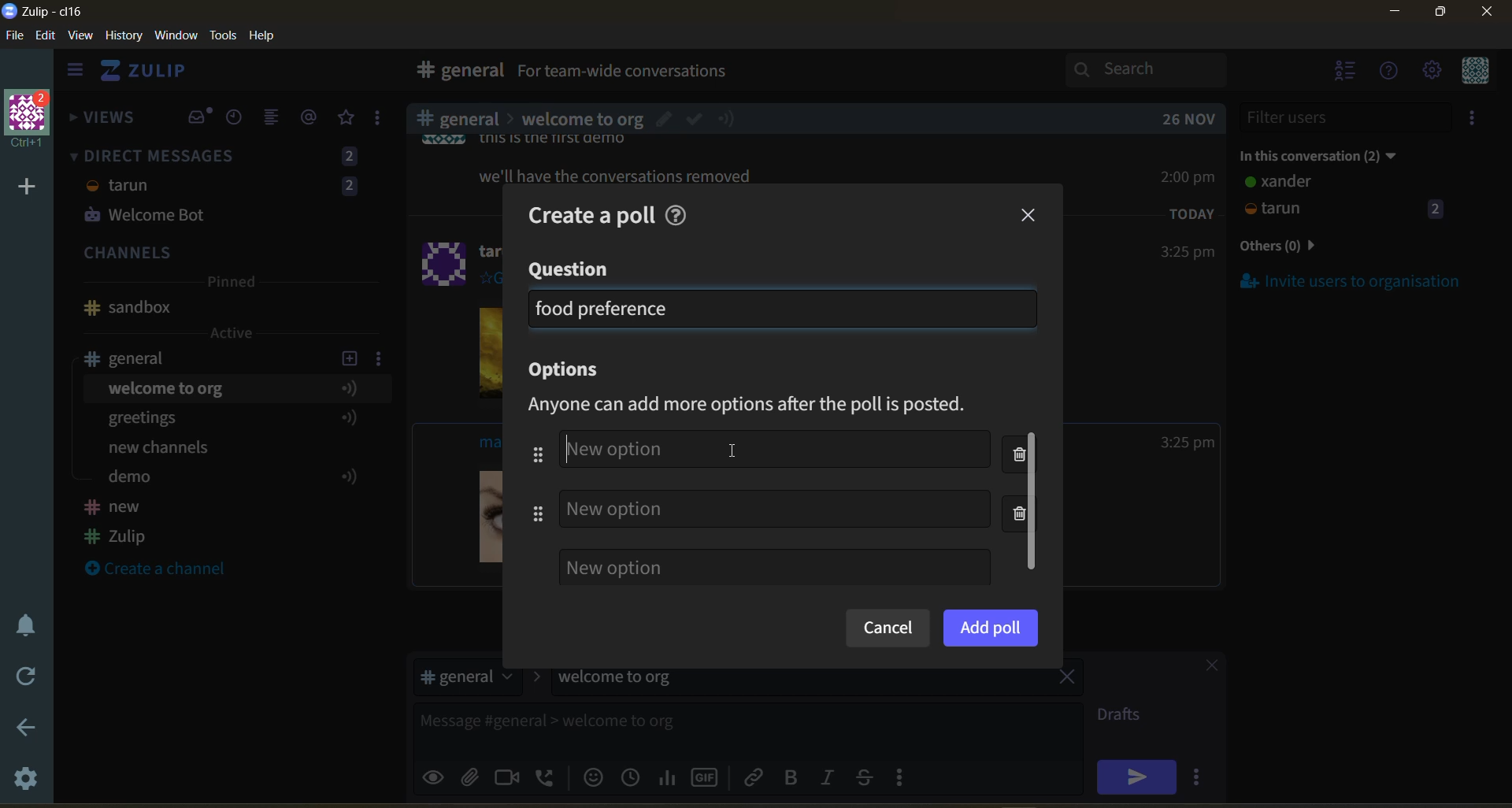 The image size is (1512, 808). I want to click on help, so click(268, 36).